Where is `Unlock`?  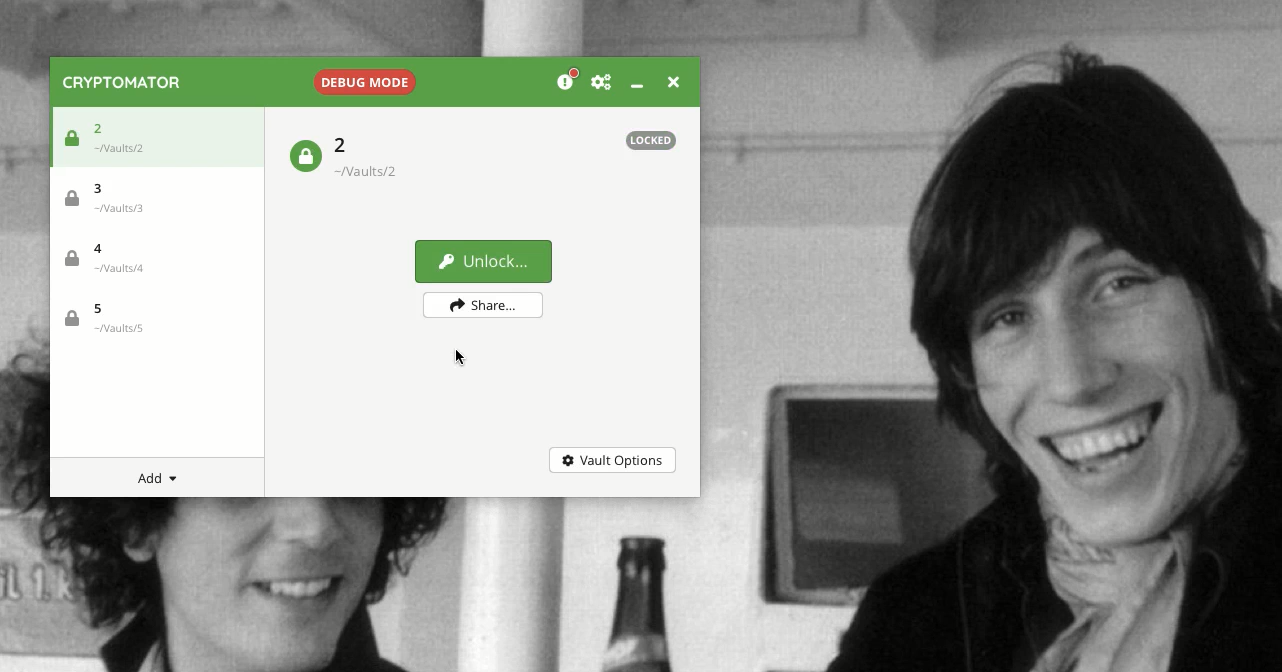
Unlock is located at coordinates (479, 261).